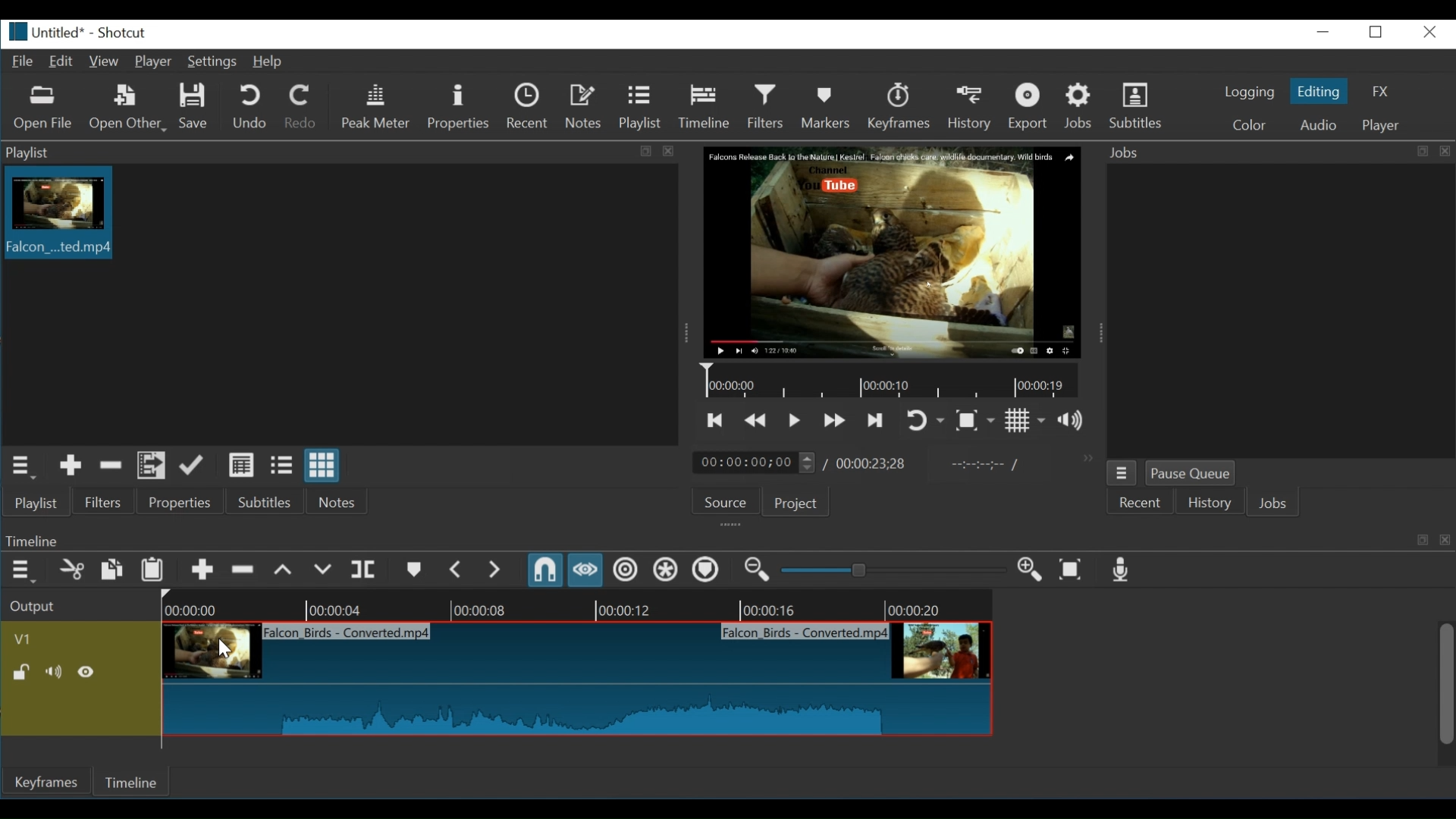  What do you see at coordinates (184, 502) in the screenshot?
I see `Properties` at bounding box center [184, 502].